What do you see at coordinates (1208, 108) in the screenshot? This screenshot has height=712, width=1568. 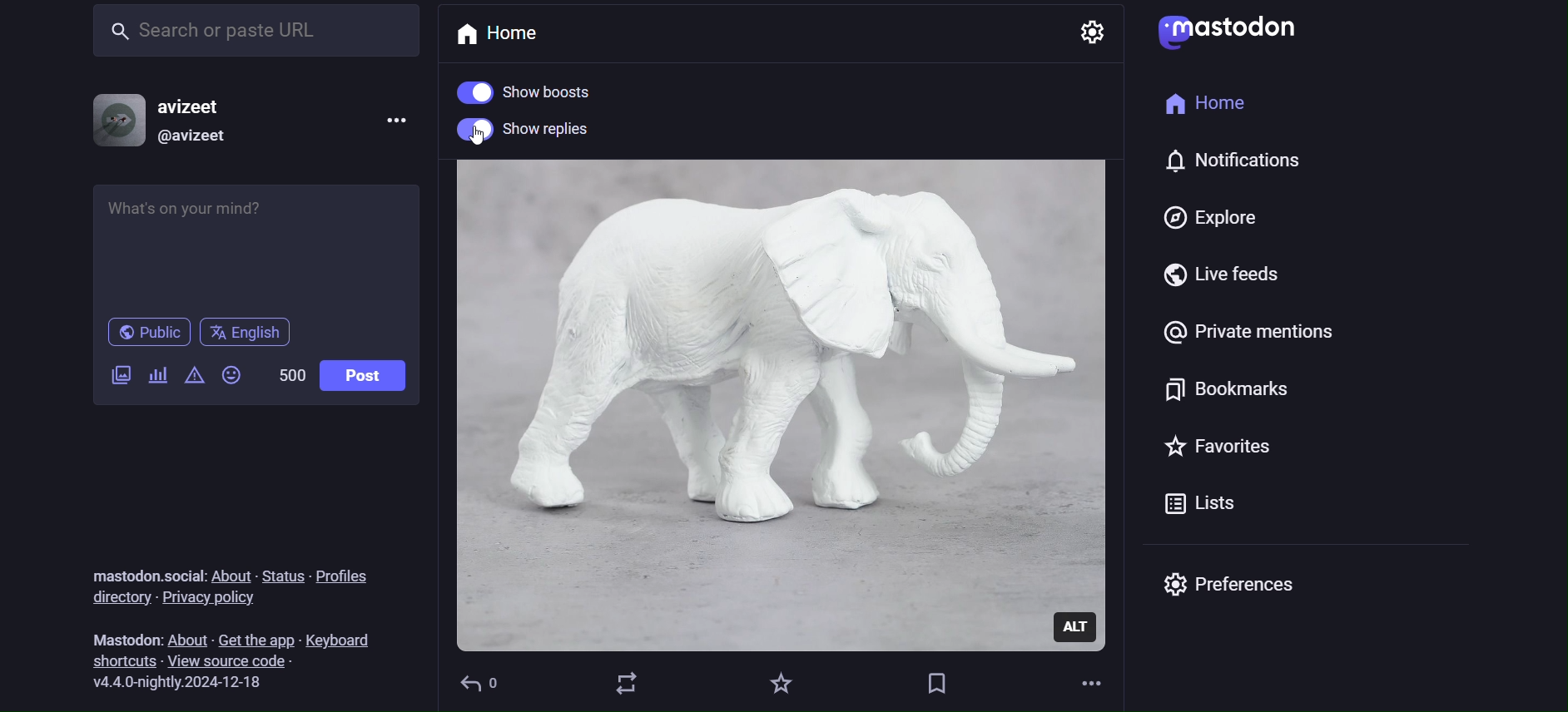 I see `home` at bounding box center [1208, 108].